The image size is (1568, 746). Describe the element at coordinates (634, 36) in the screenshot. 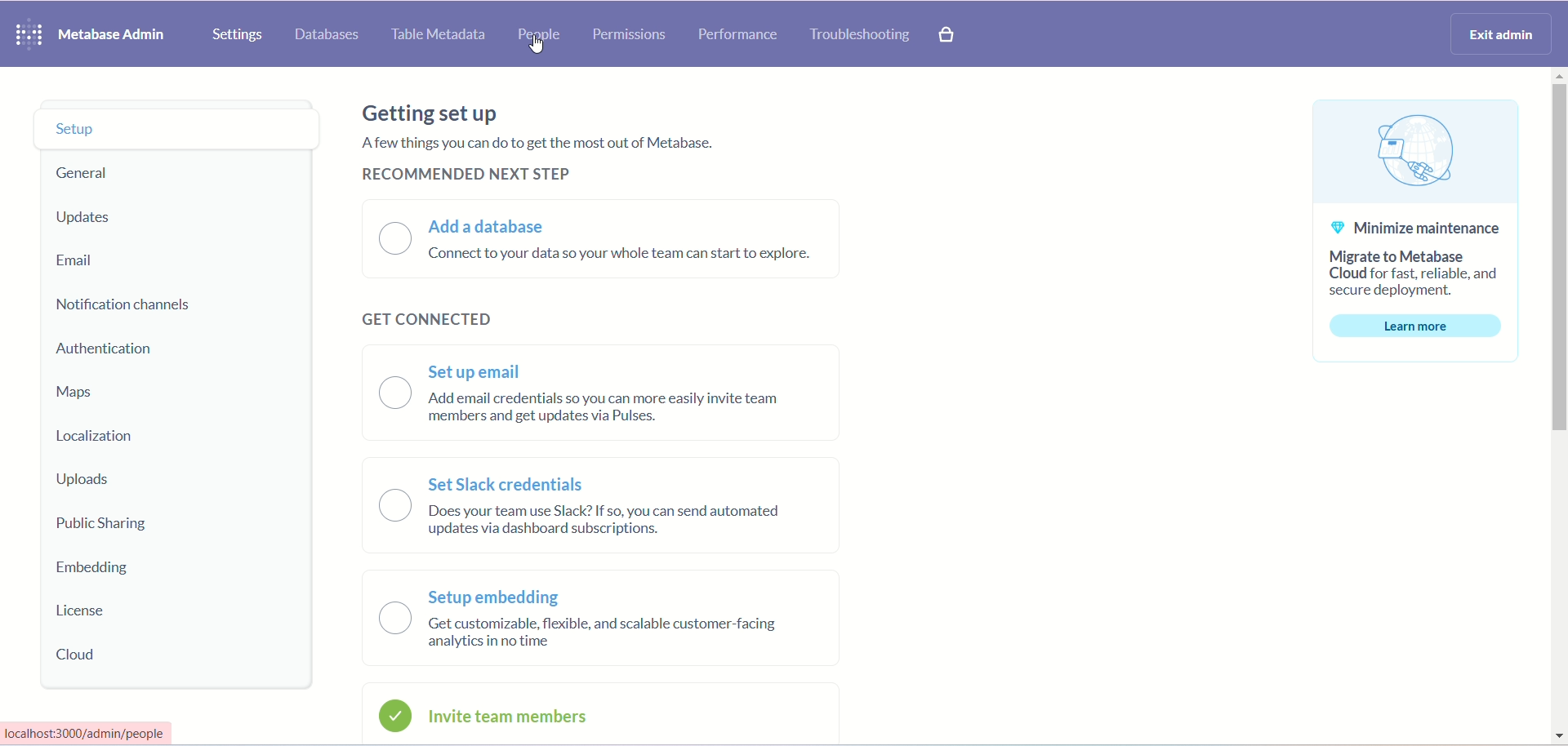

I see `permissions` at that location.